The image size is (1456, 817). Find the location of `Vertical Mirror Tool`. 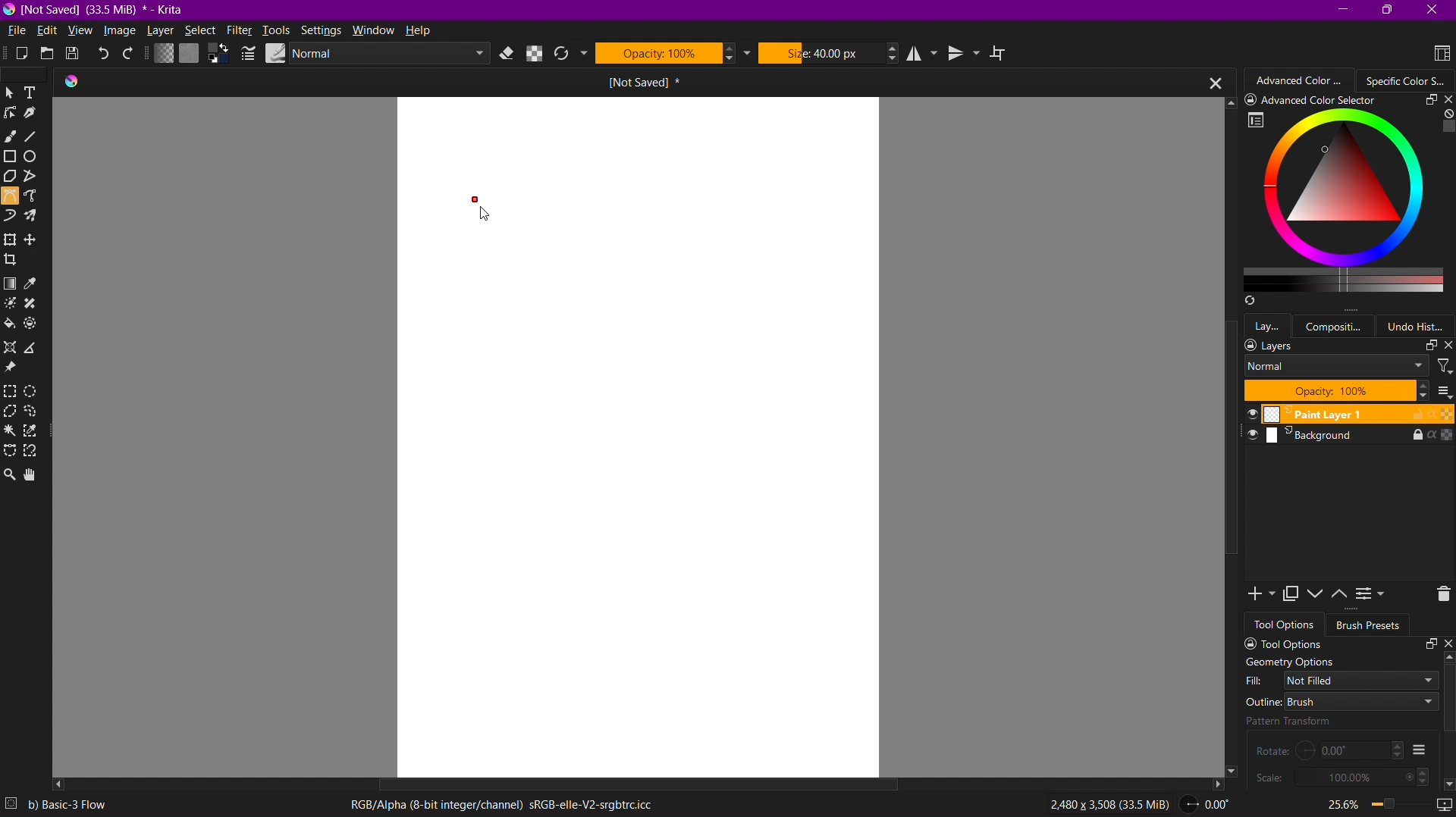

Vertical Mirror Tool is located at coordinates (965, 54).